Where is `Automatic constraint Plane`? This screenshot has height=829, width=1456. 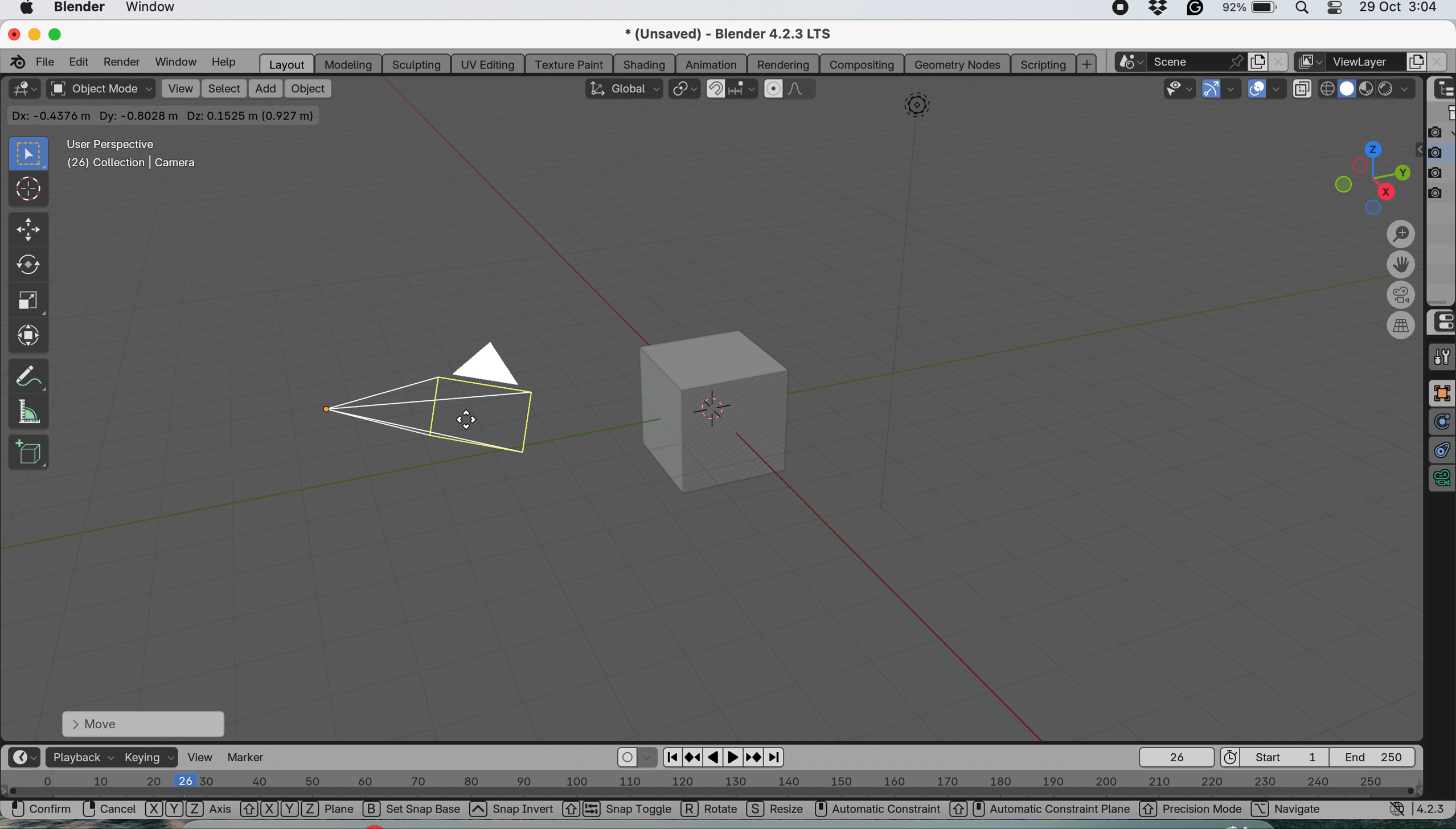
Automatic constraint Plane is located at coordinates (1051, 810).